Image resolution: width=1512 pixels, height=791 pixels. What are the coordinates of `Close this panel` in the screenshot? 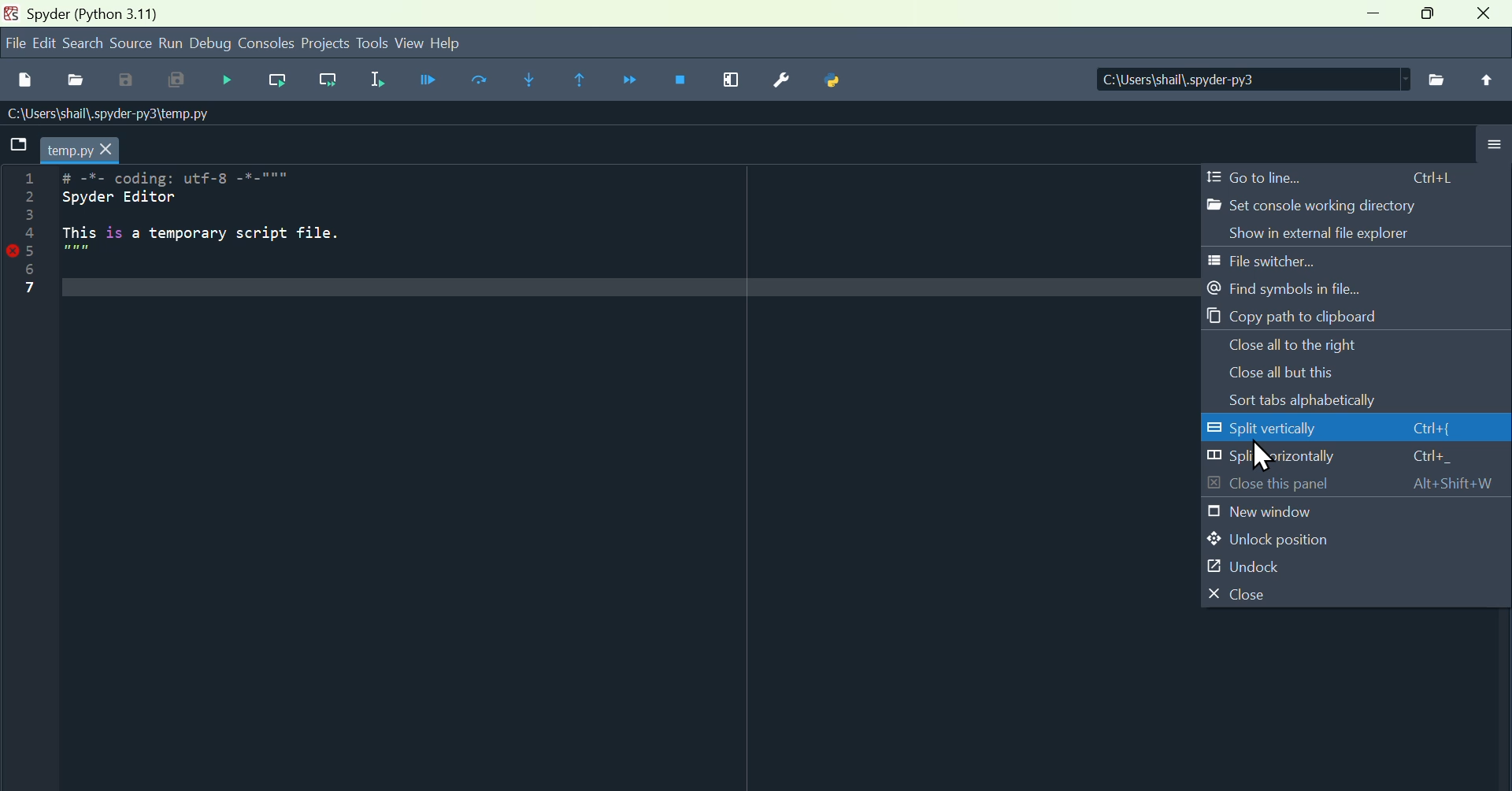 It's located at (1348, 490).